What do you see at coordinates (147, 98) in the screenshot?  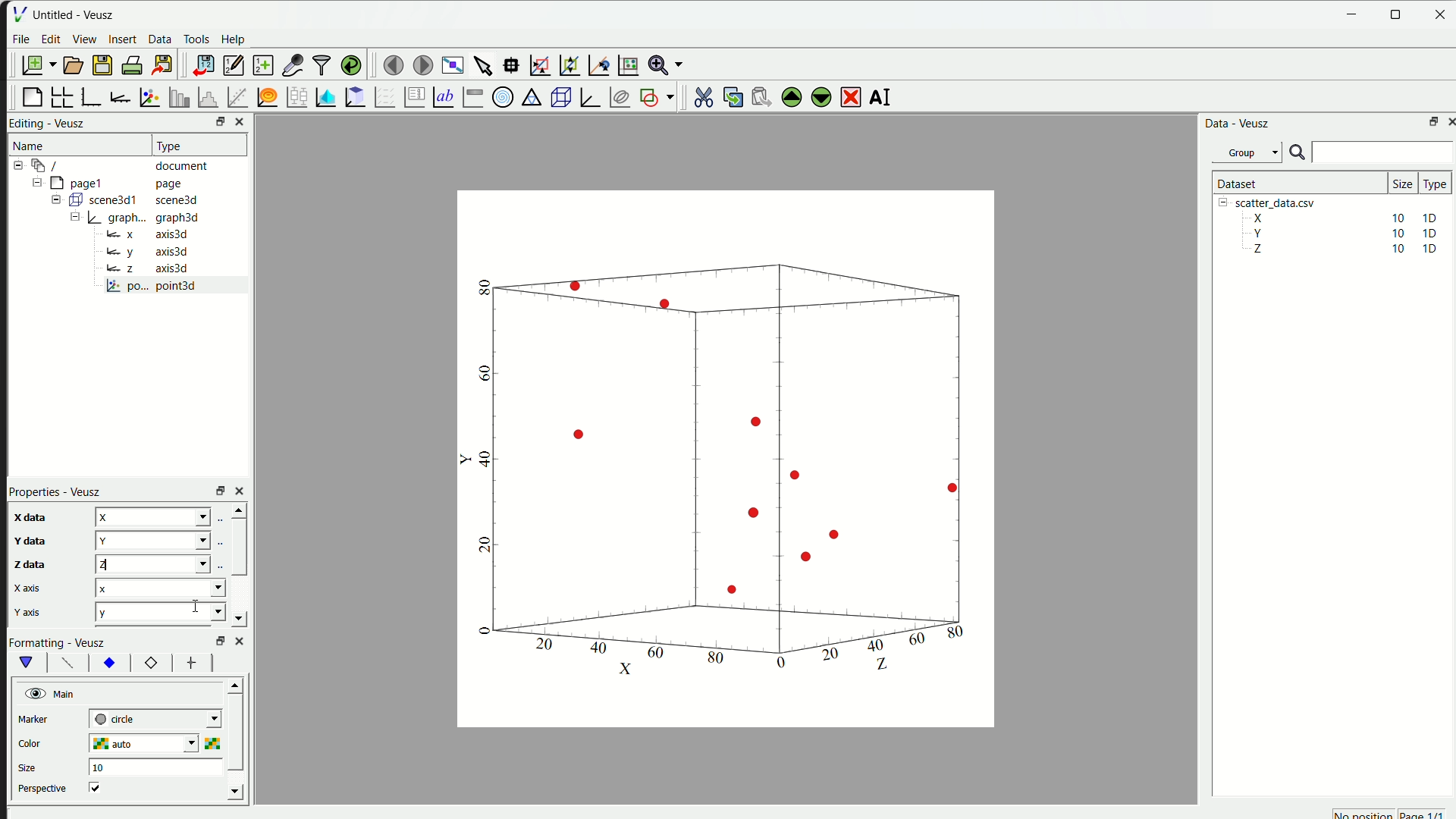 I see `plot points` at bounding box center [147, 98].